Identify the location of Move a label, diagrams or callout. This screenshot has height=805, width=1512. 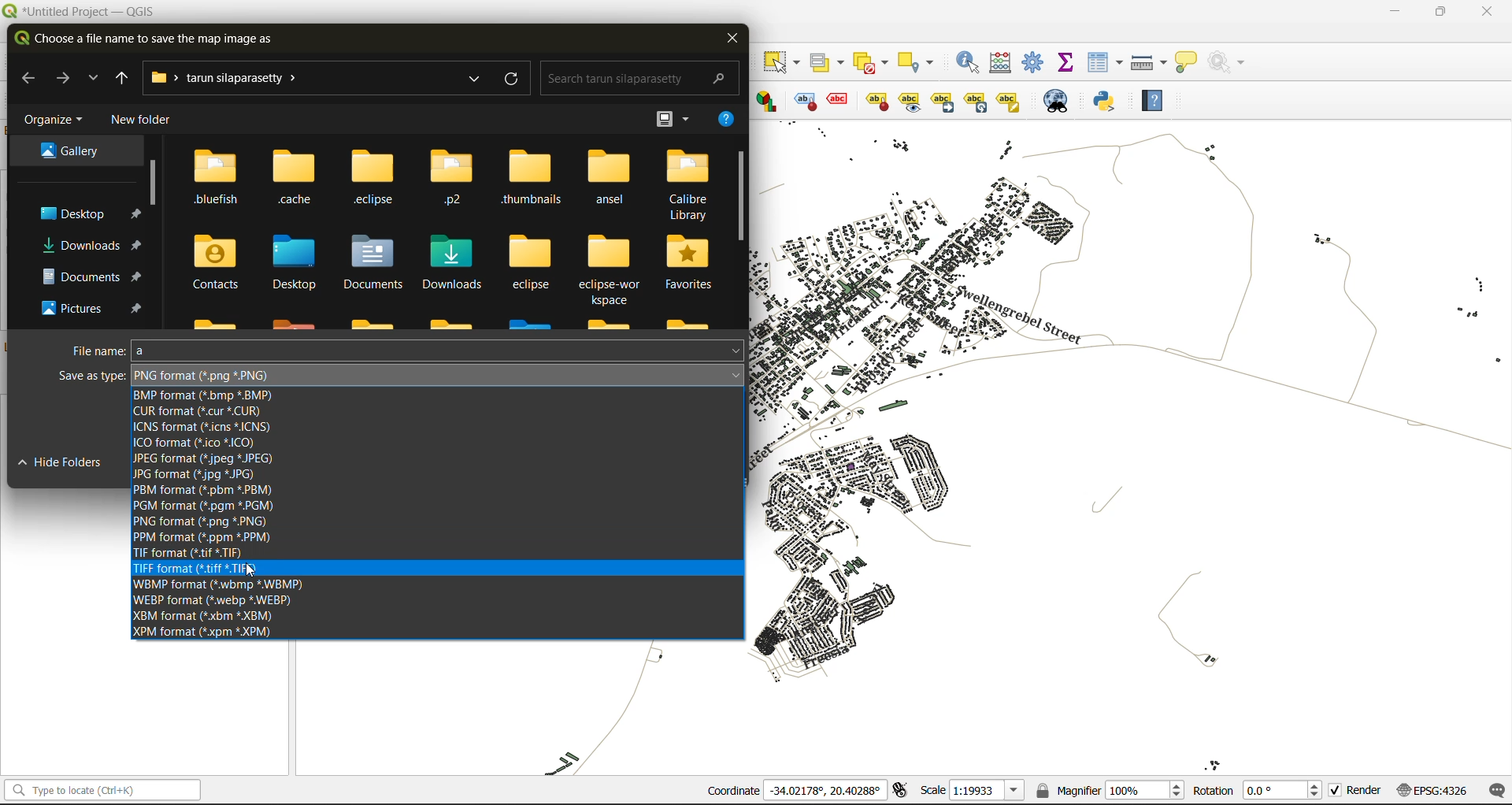
(943, 101).